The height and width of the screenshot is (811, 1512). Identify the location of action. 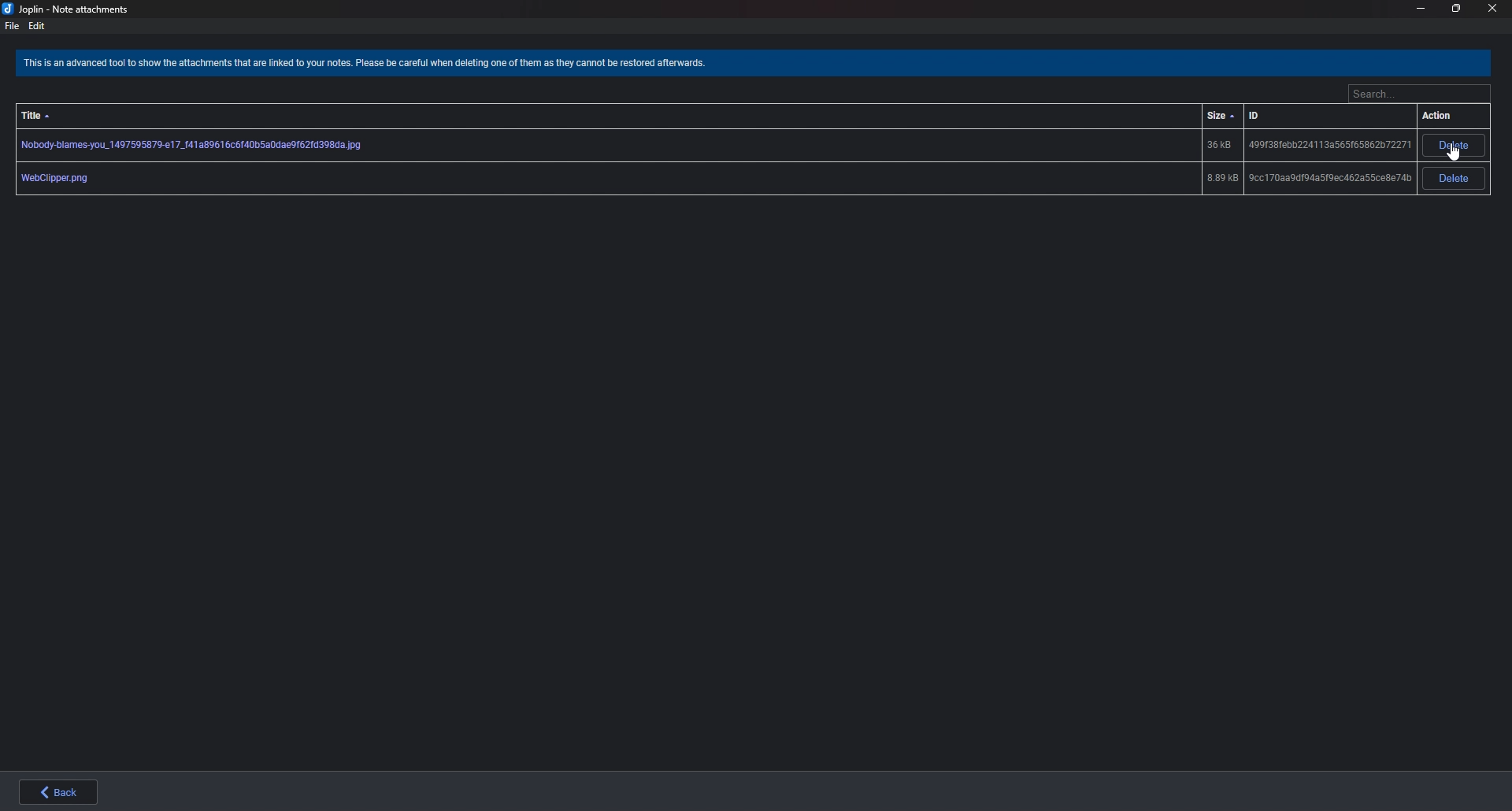
(1441, 117).